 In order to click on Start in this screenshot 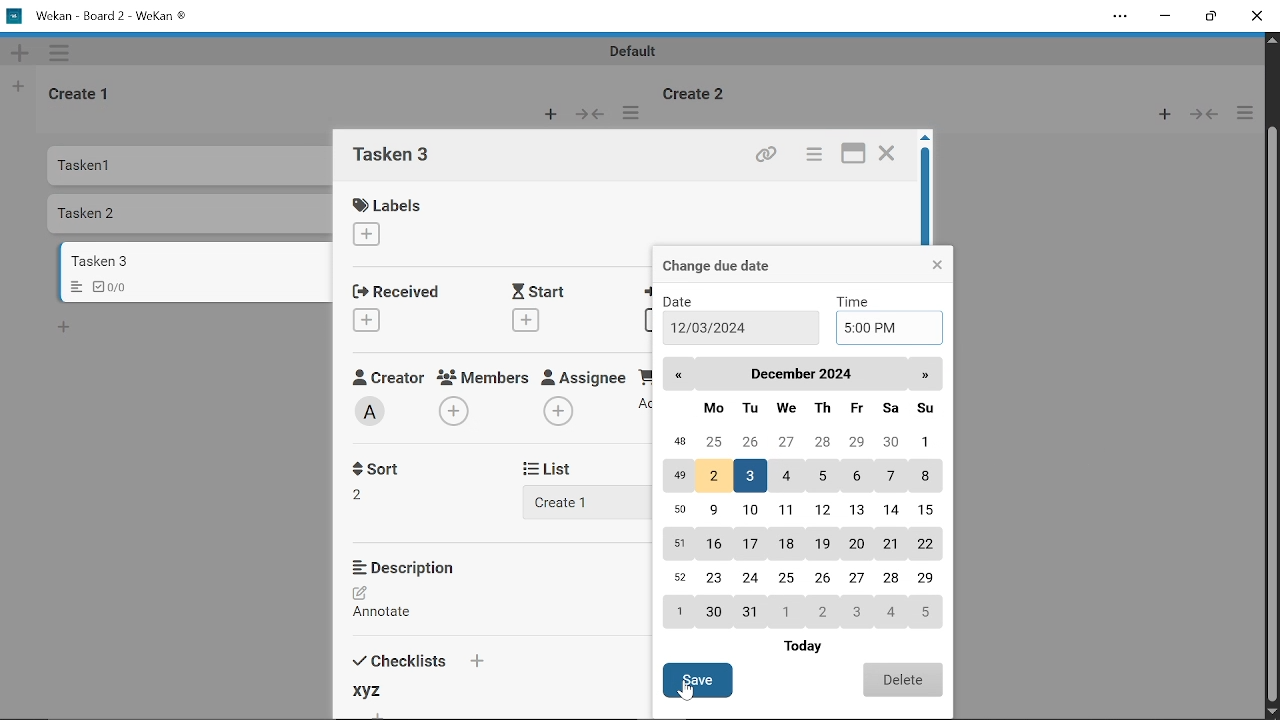, I will do `click(544, 291)`.